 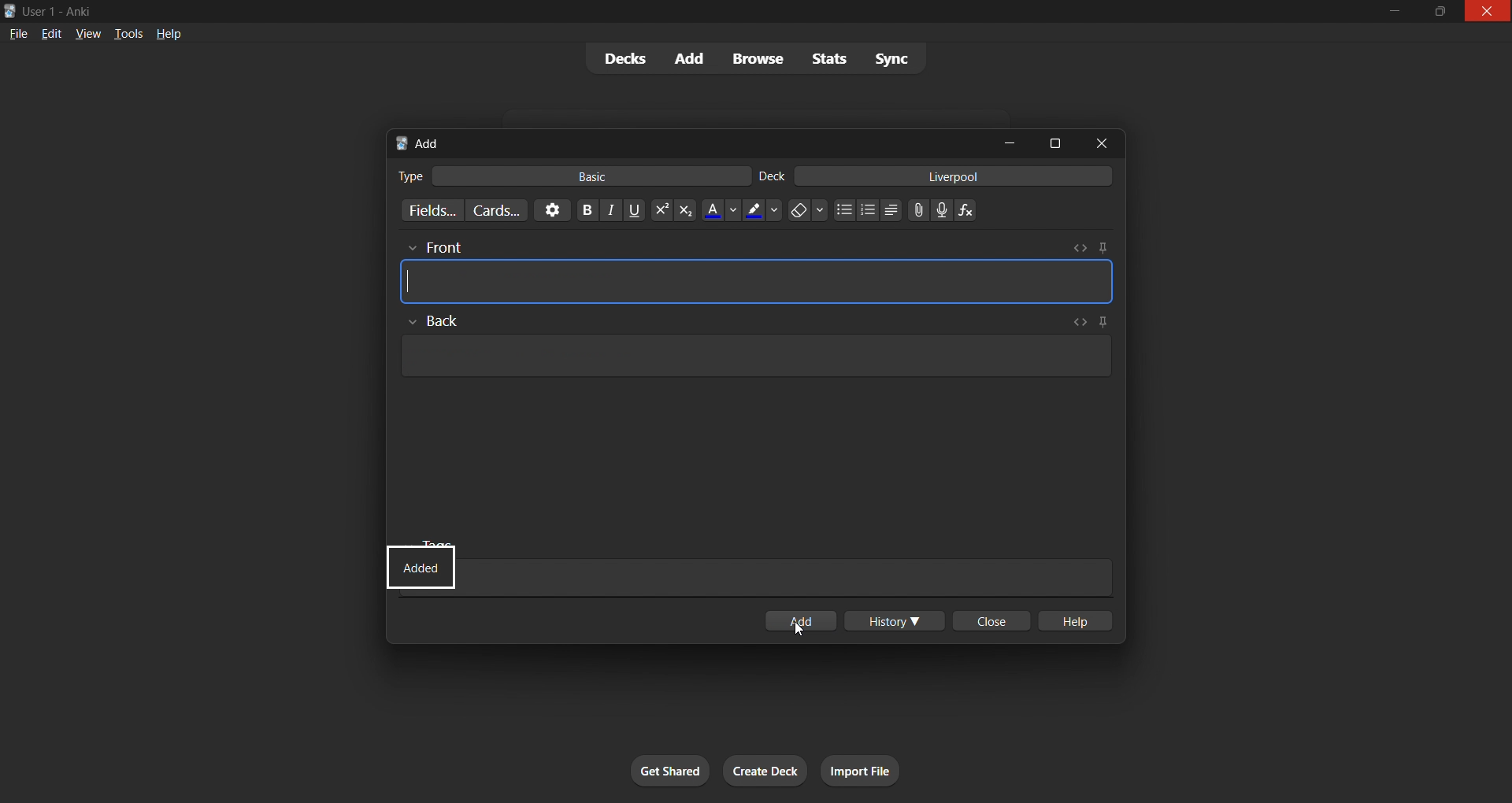 What do you see at coordinates (969, 211) in the screenshot?
I see `equation` at bounding box center [969, 211].